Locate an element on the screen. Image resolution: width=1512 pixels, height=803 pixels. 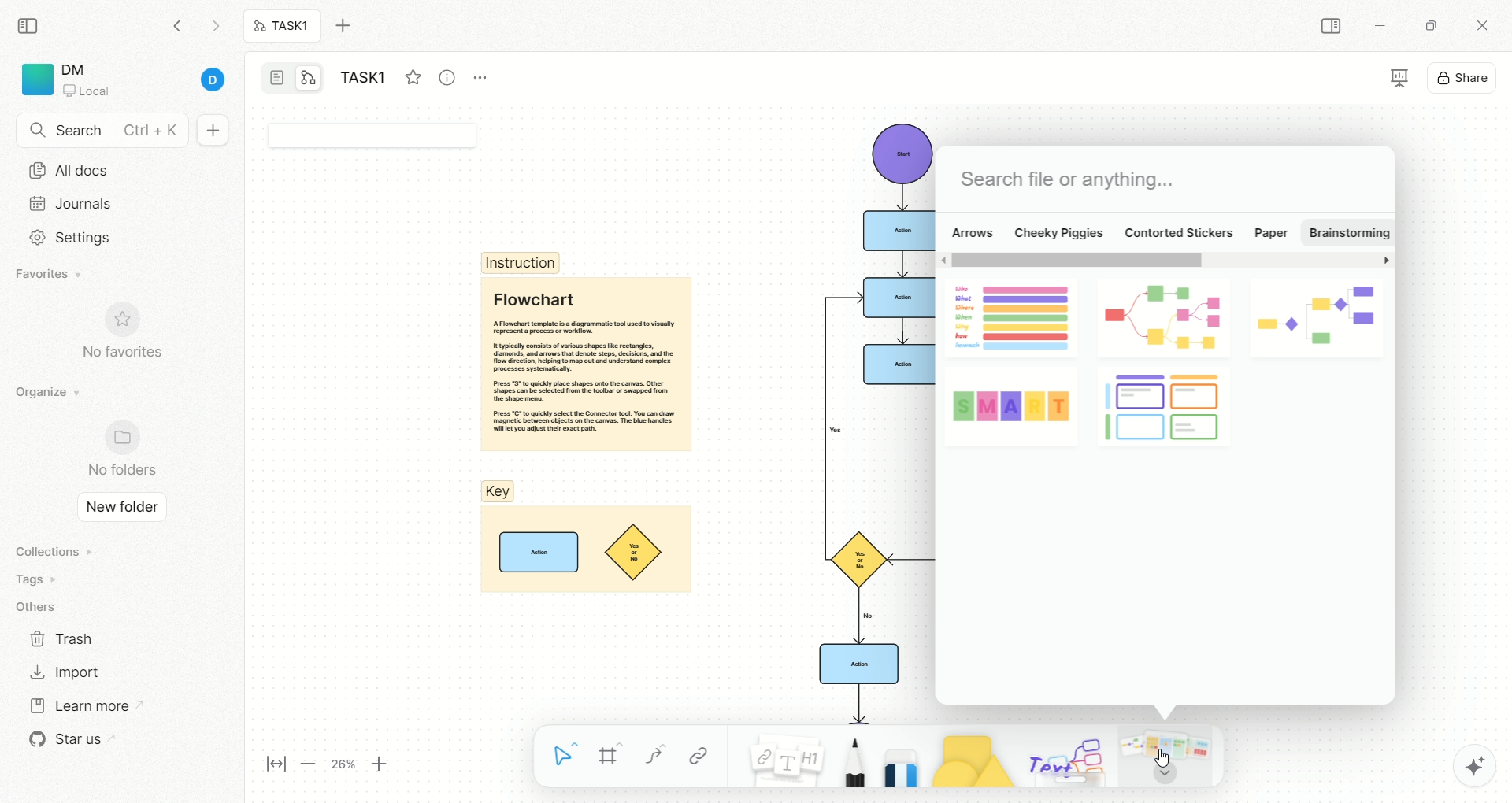
text is located at coordinates (1065, 759).